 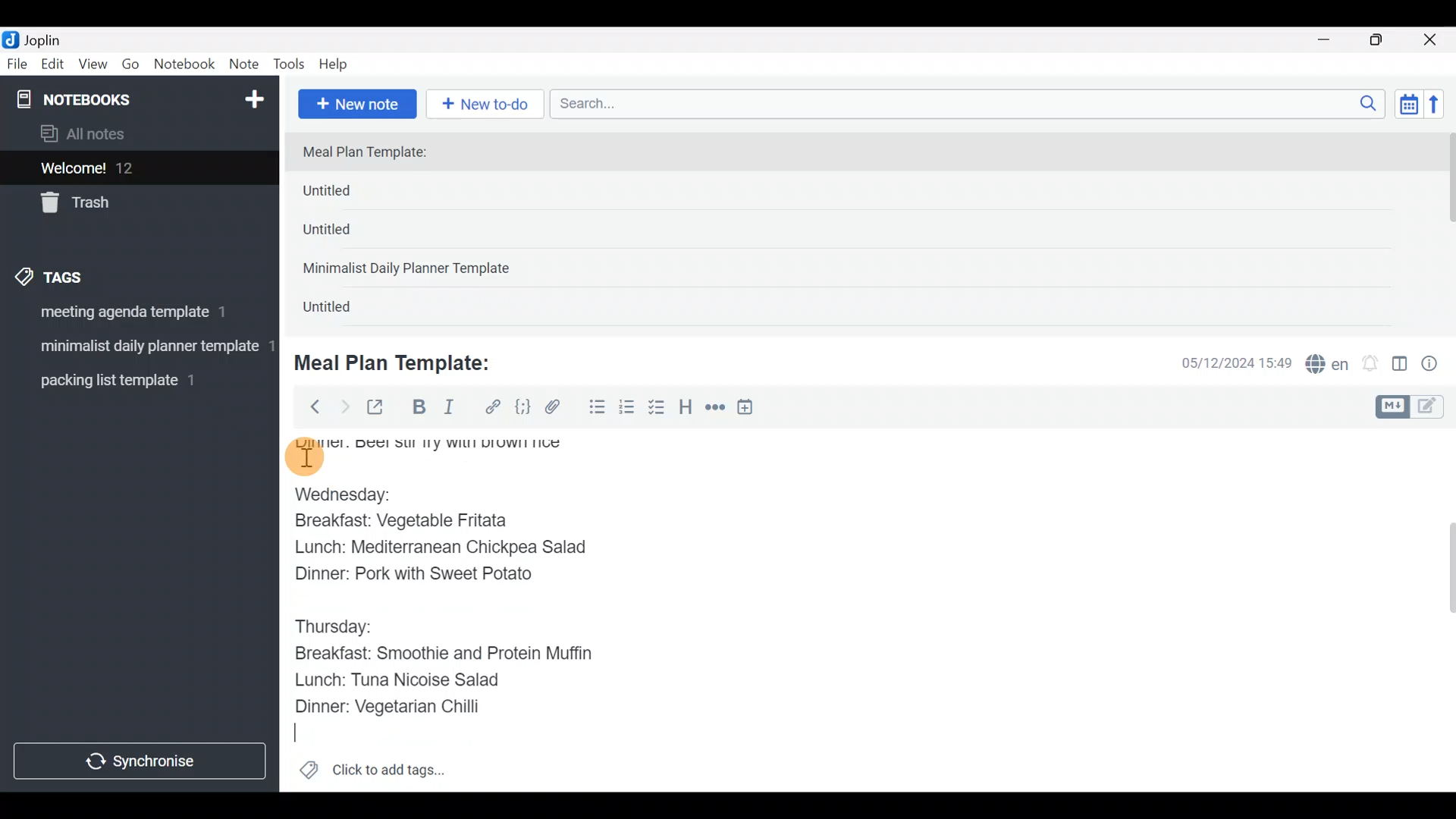 I want to click on Thursday:, so click(x=340, y=627).